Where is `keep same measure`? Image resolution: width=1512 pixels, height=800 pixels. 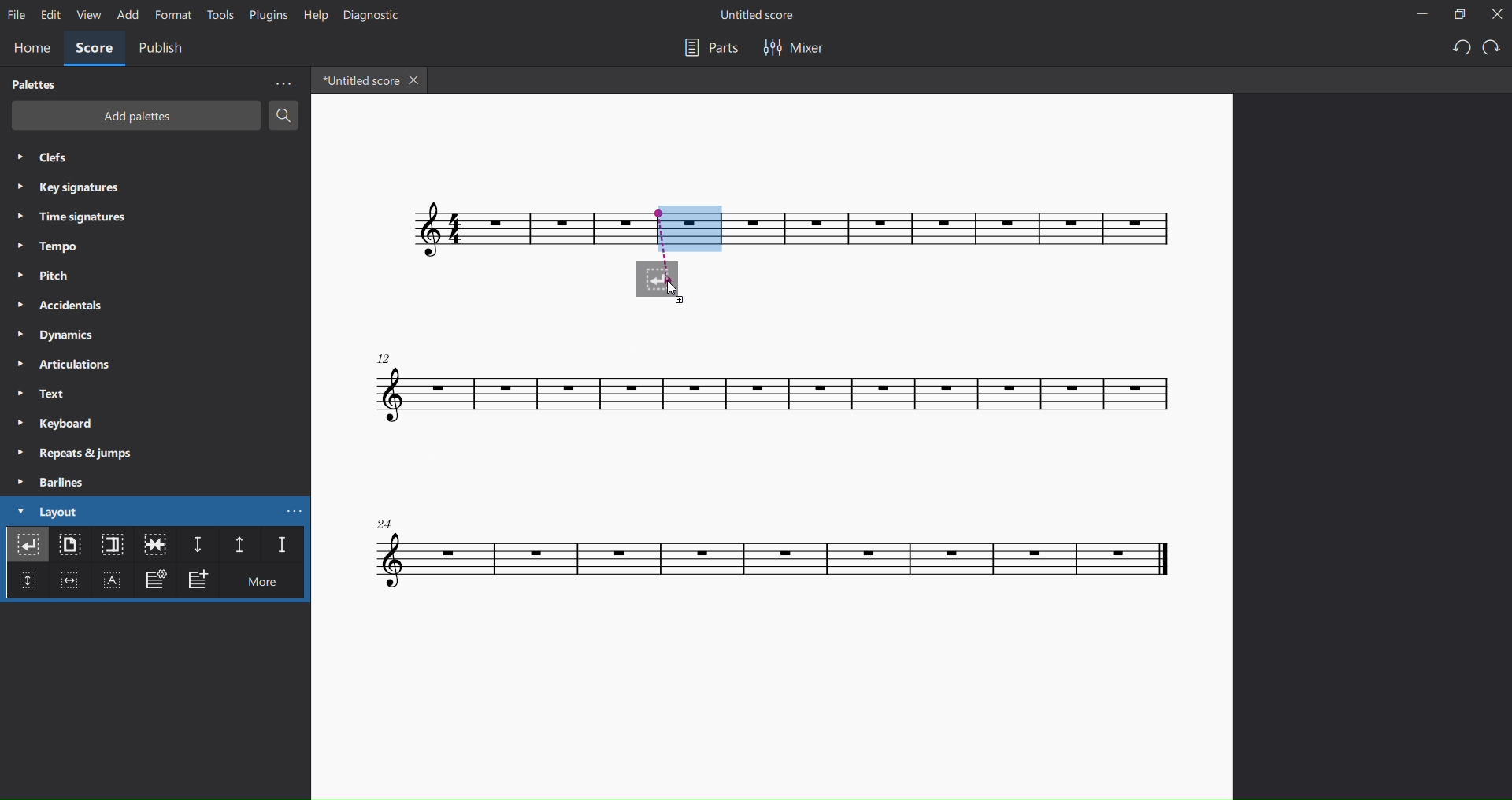 keep same measure is located at coordinates (155, 545).